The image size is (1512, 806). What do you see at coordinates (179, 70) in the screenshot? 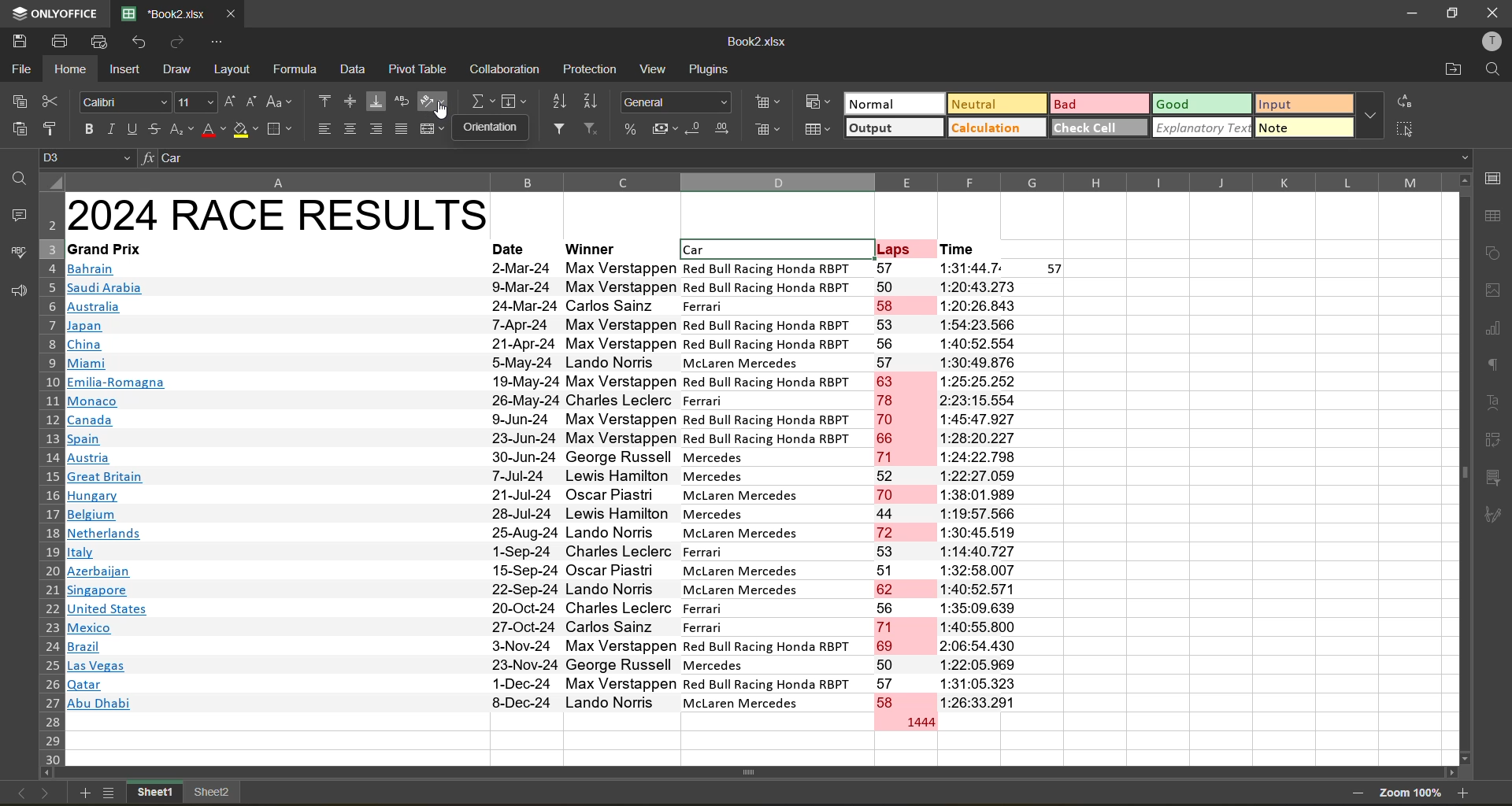
I see `draw` at bounding box center [179, 70].